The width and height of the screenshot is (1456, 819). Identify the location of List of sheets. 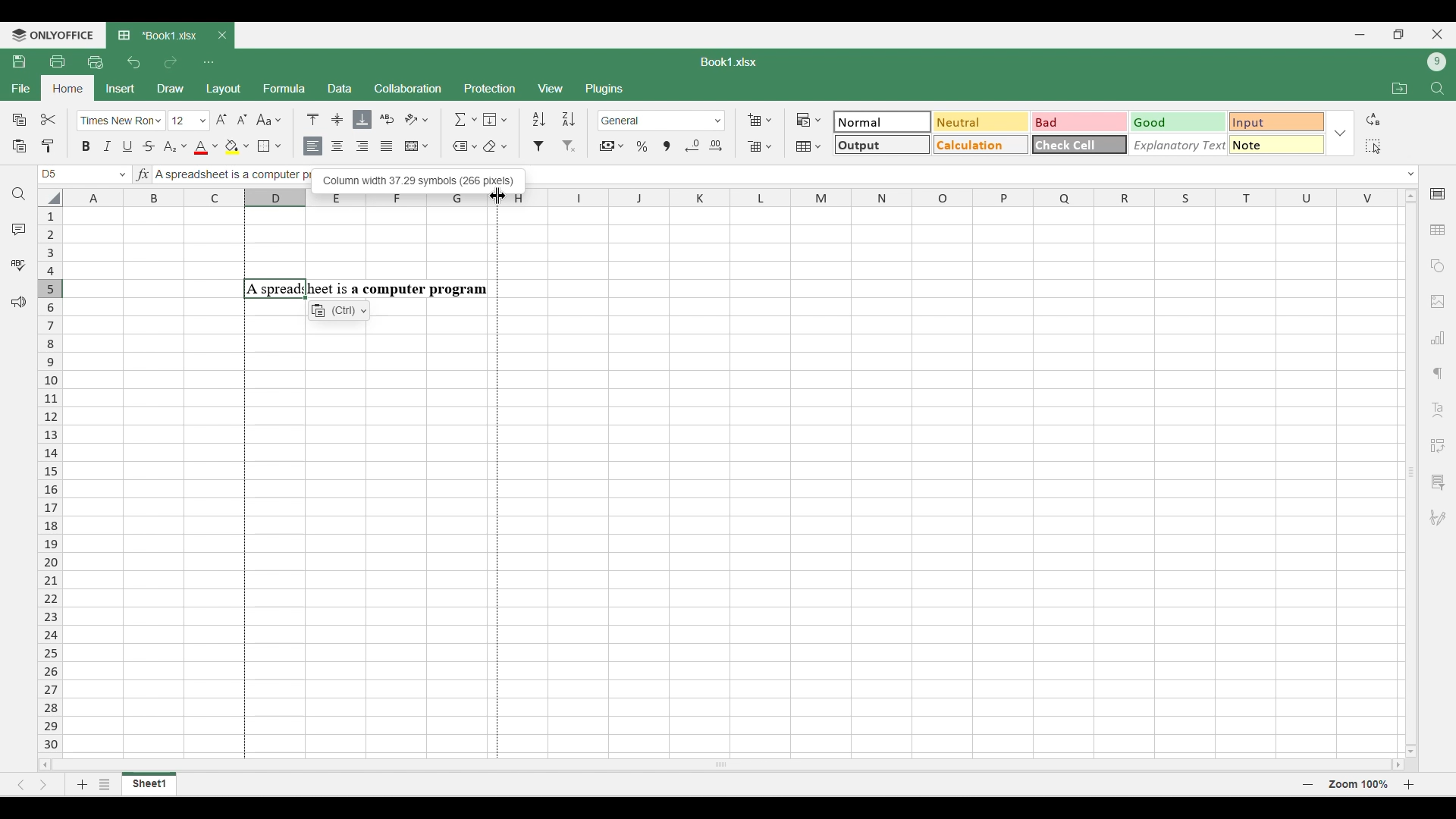
(105, 784).